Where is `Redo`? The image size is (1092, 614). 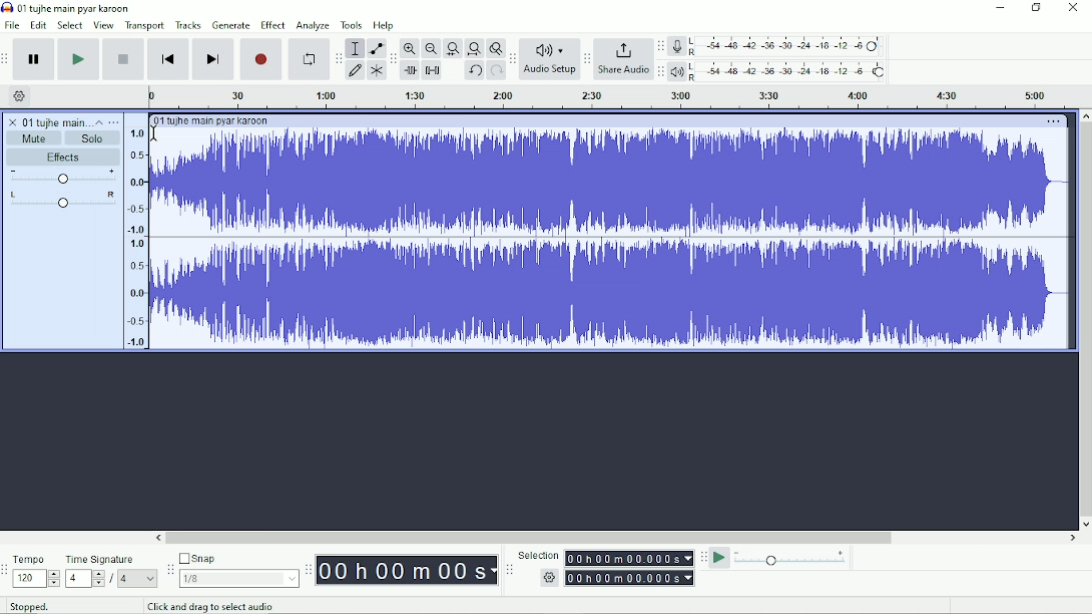 Redo is located at coordinates (496, 71).